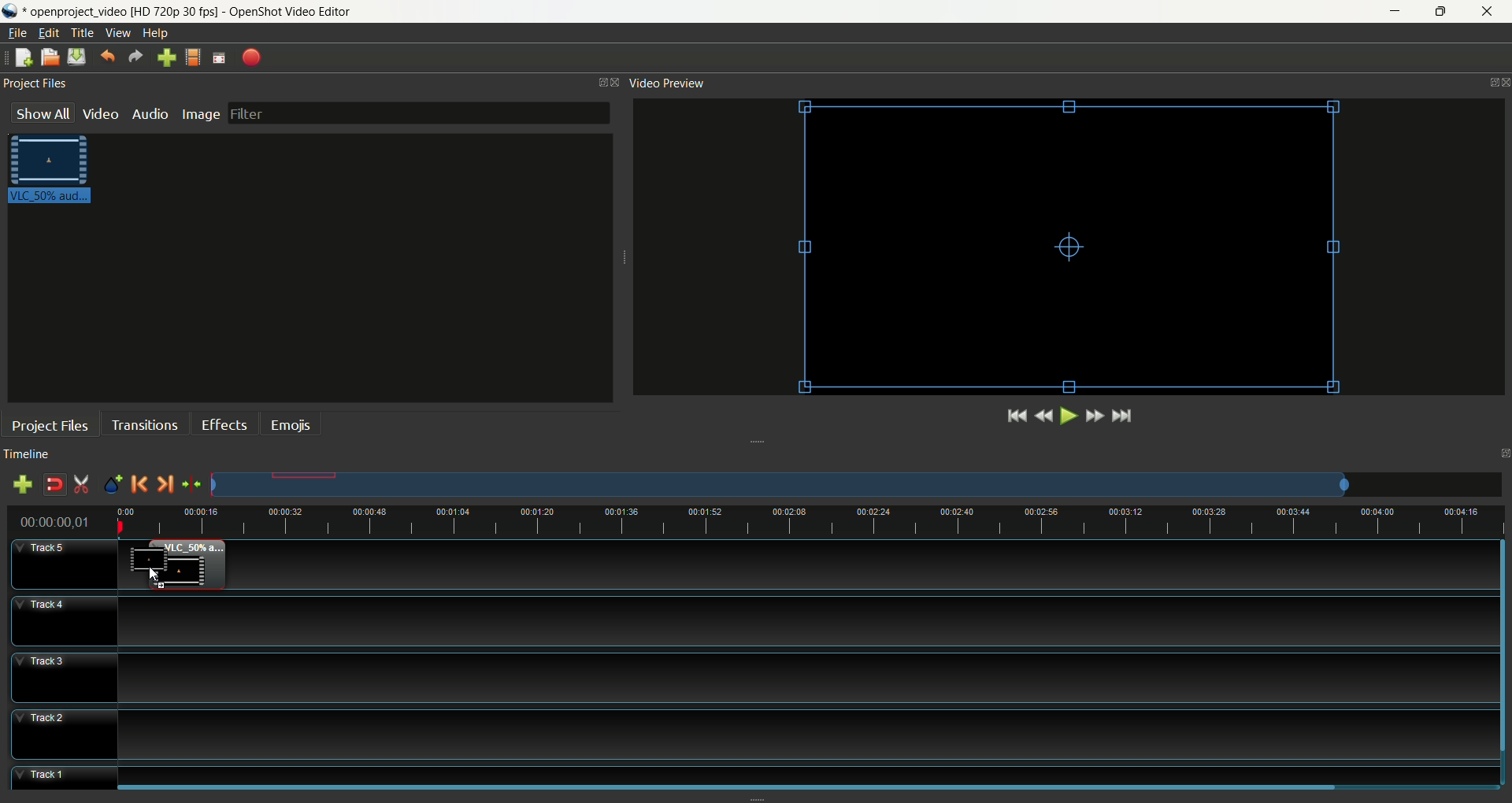 Image resolution: width=1512 pixels, height=803 pixels. I want to click on fullscreen, so click(218, 57).